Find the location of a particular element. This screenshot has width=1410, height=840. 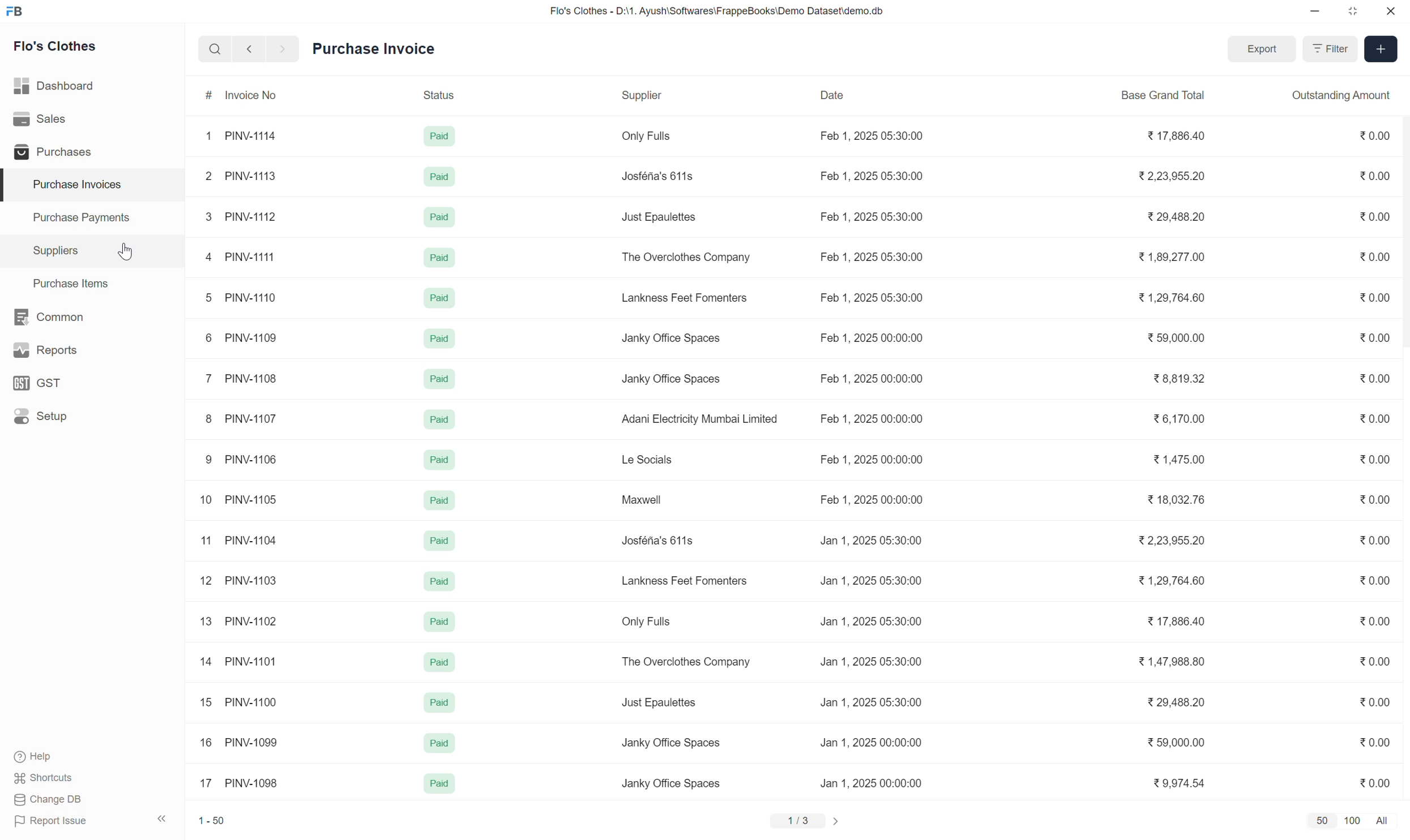

0.00 is located at coordinates (1374, 256).